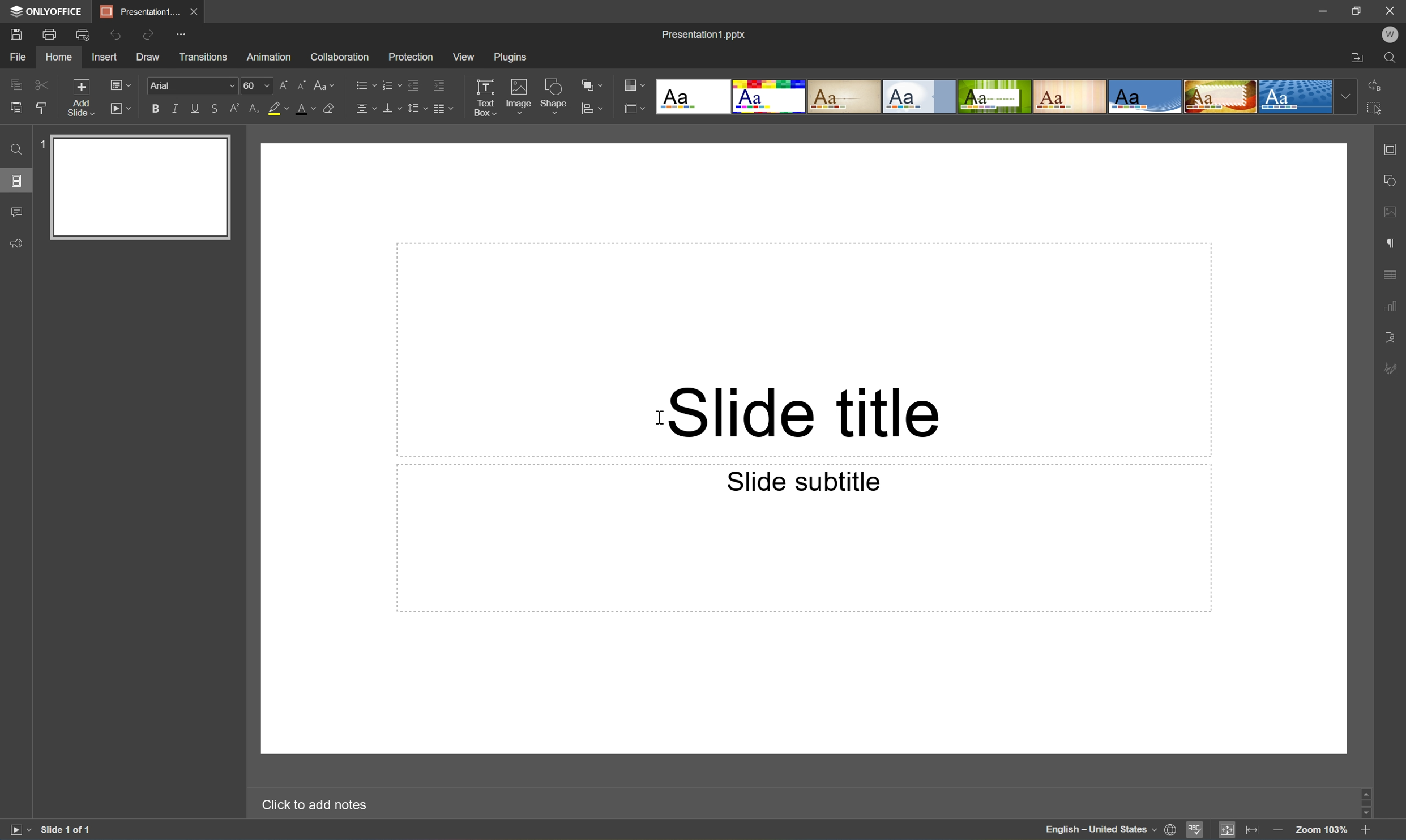  Describe the element at coordinates (137, 11) in the screenshot. I see `Presentation1...` at that location.